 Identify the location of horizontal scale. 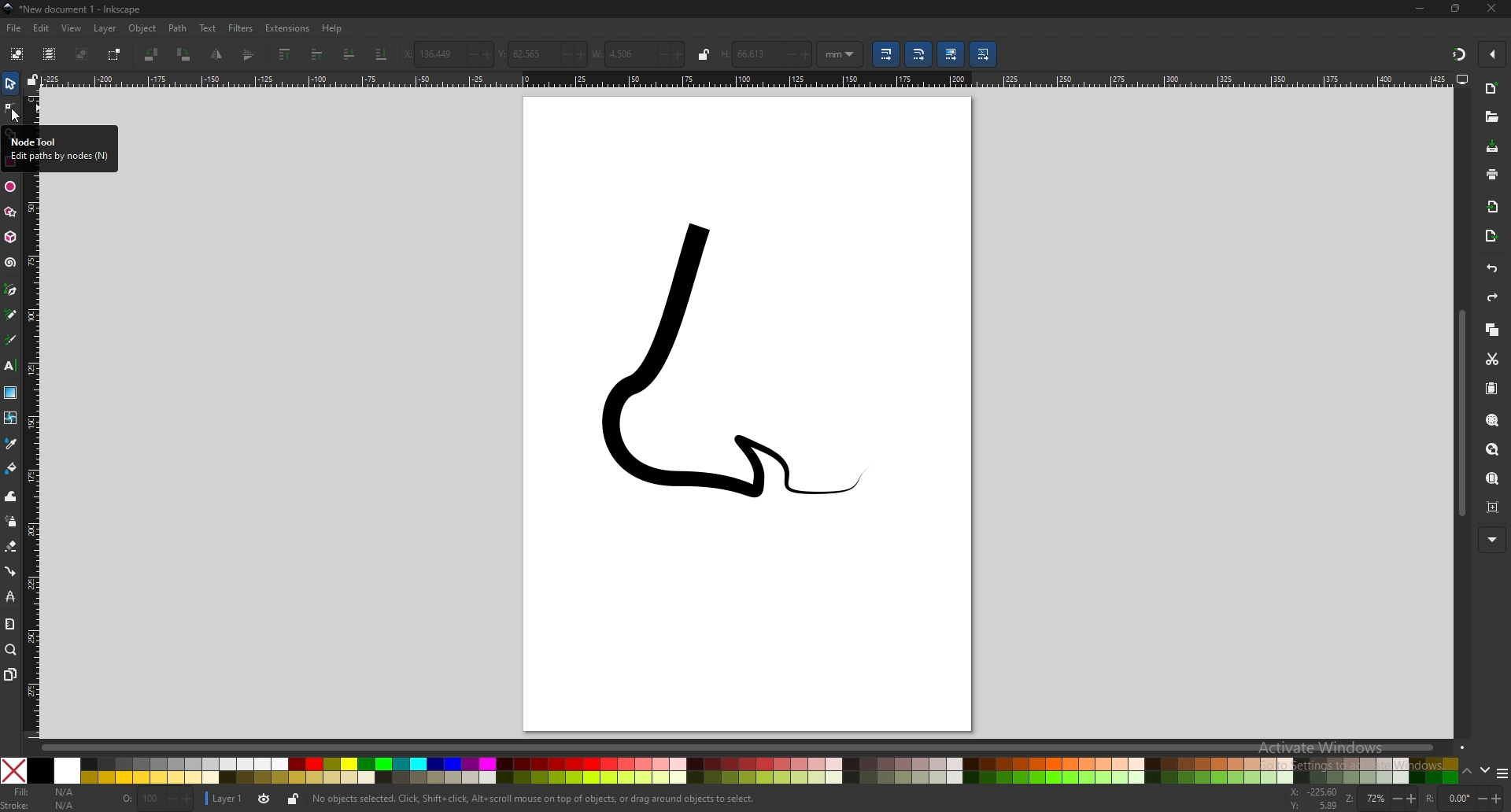
(747, 79).